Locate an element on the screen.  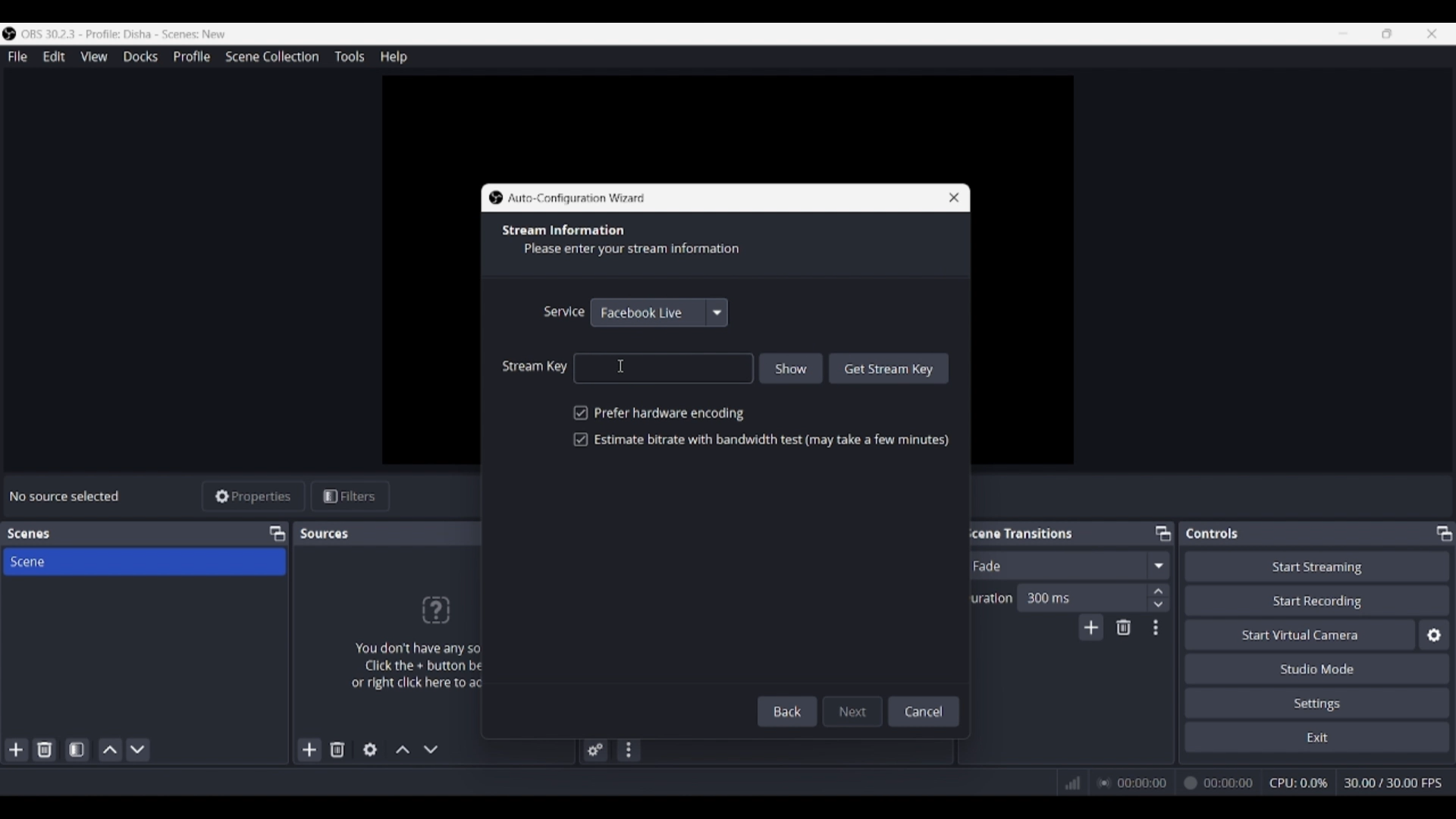
Add scene is located at coordinates (17, 750).